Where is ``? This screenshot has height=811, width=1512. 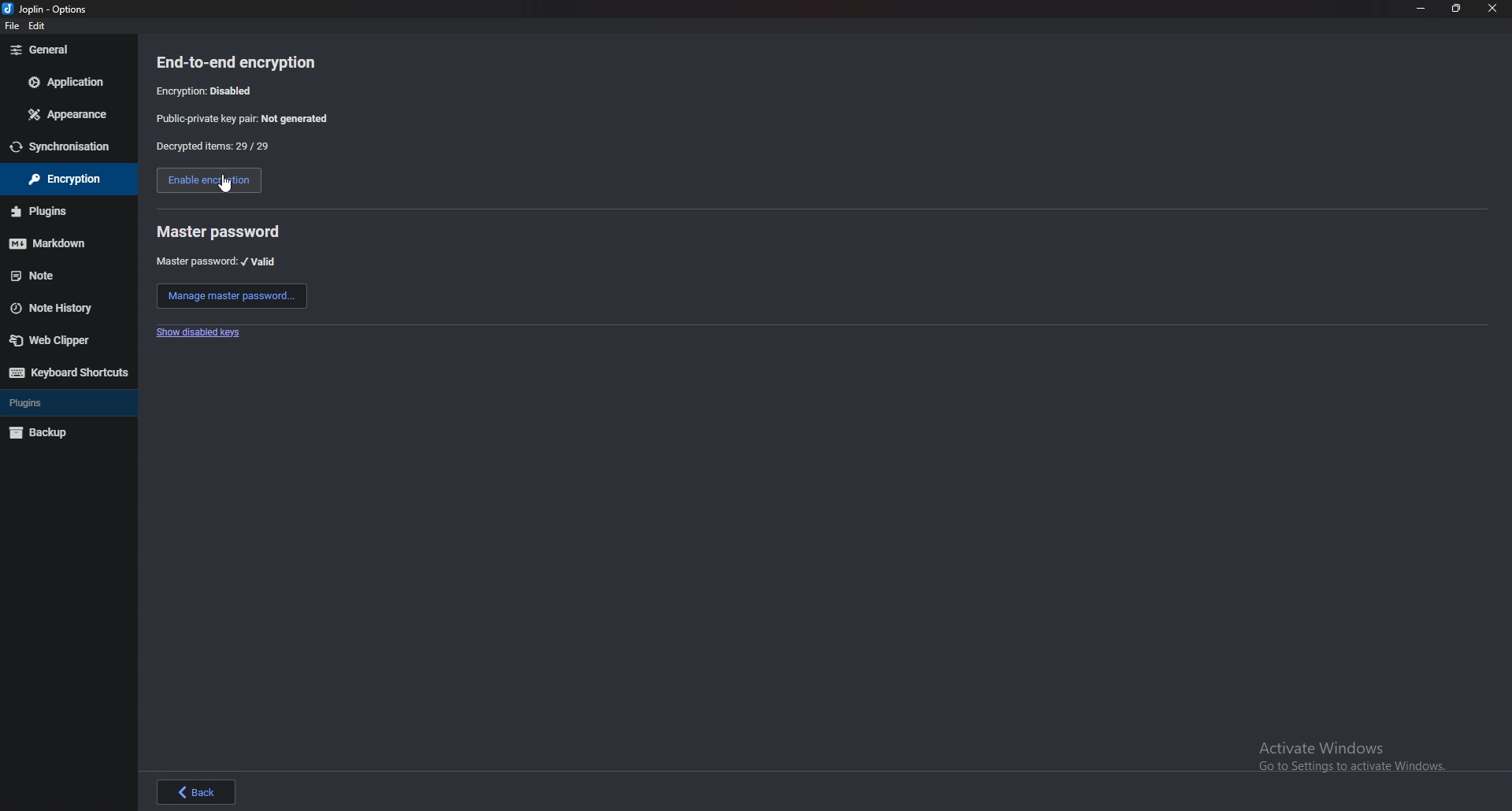  is located at coordinates (39, 25).